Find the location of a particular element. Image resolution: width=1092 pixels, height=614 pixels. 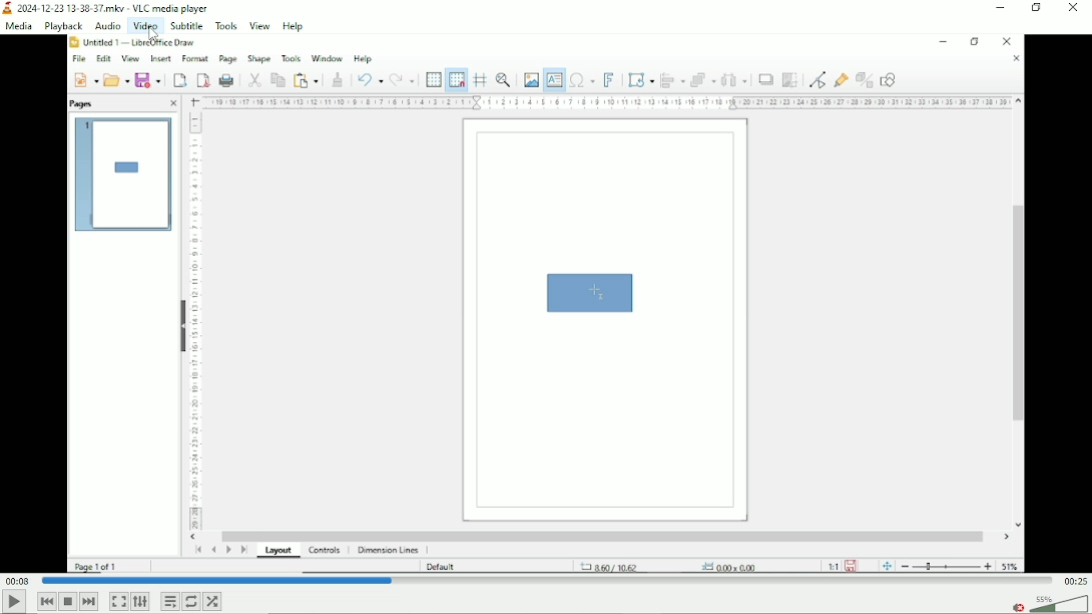

Minimize is located at coordinates (1001, 7).